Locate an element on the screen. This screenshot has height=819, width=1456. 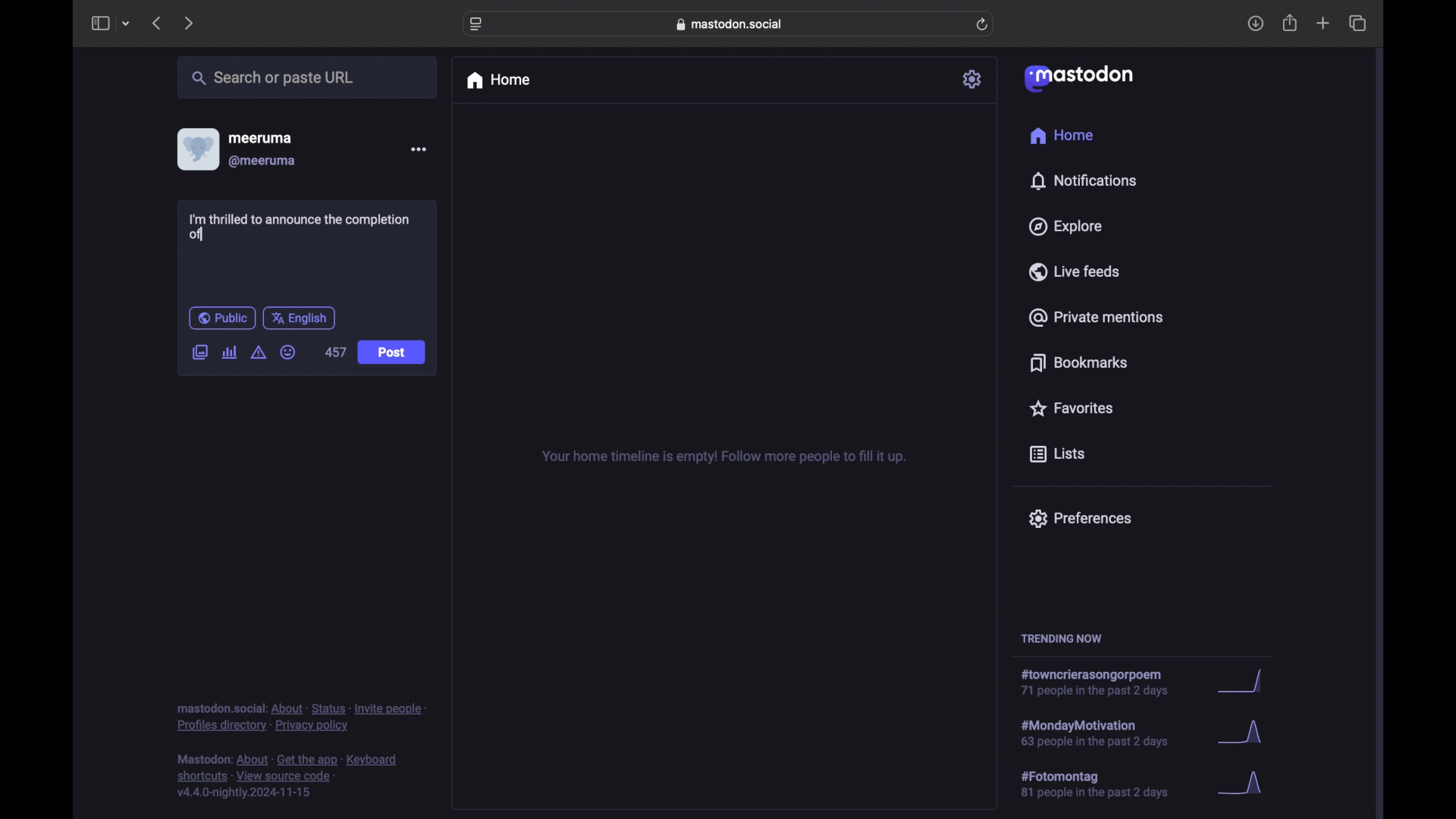
add image is located at coordinates (199, 353).